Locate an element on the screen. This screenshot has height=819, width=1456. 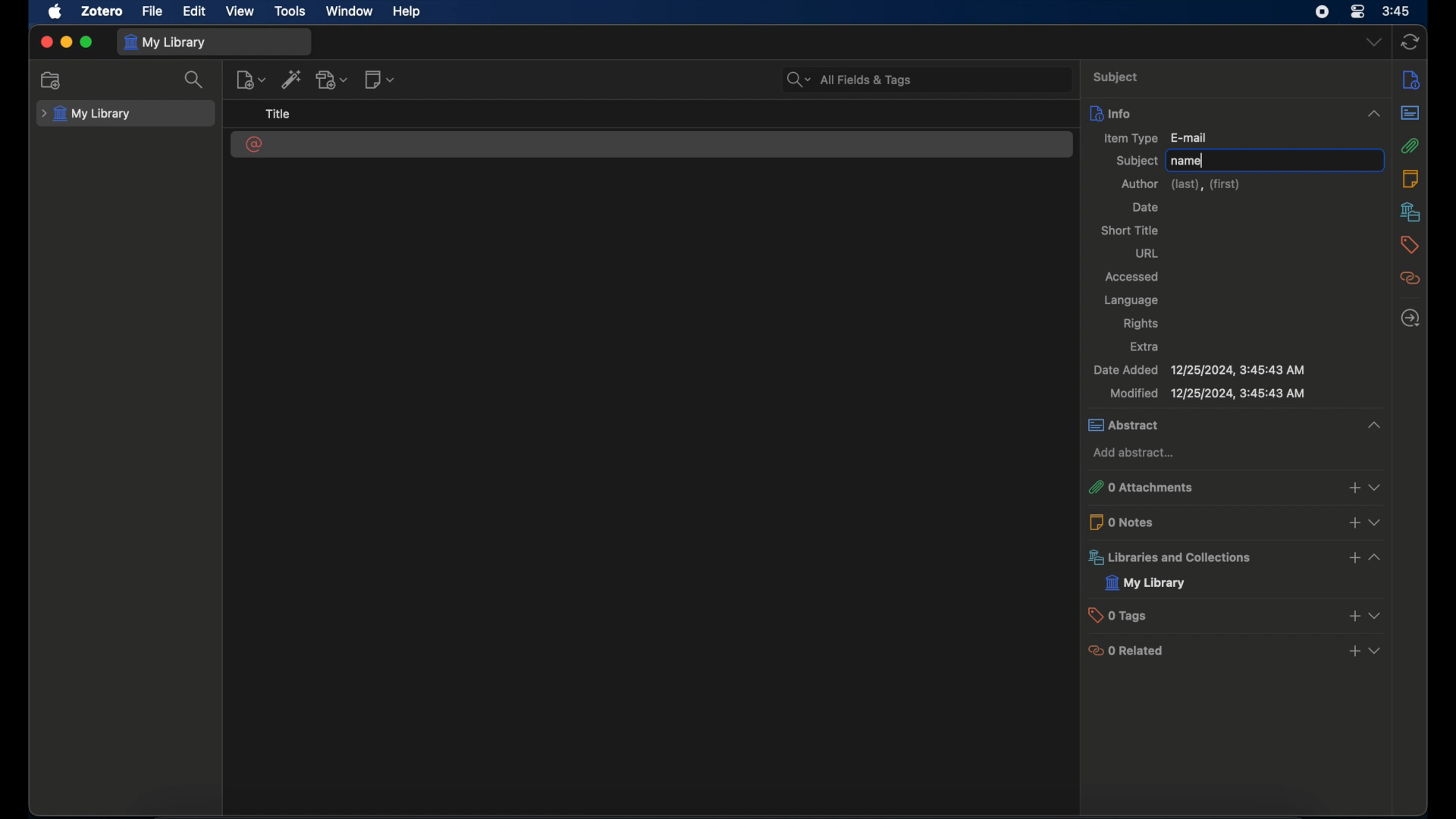
my library is located at coordinates (168, 42).